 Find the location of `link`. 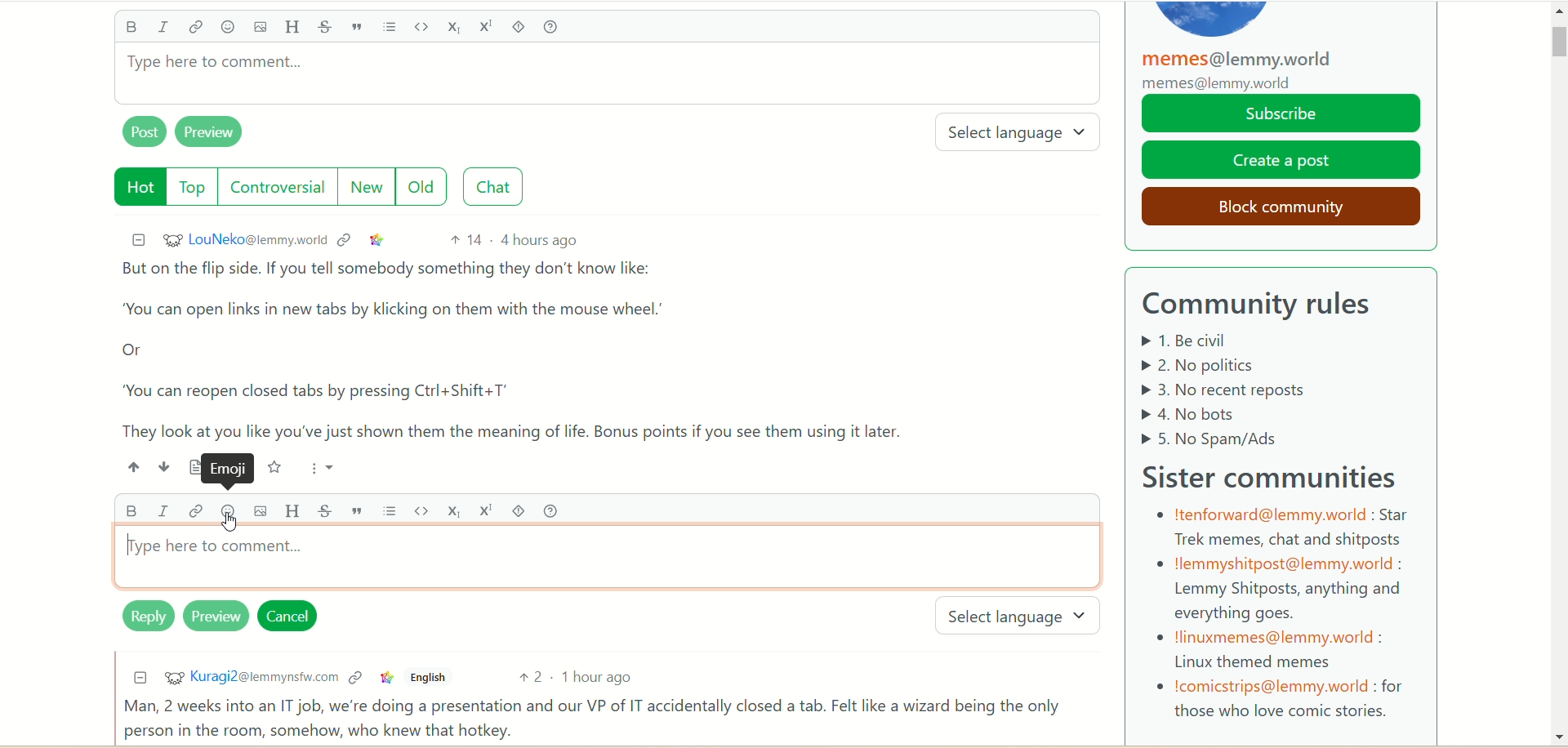

link is located at coordinates (377, 239).